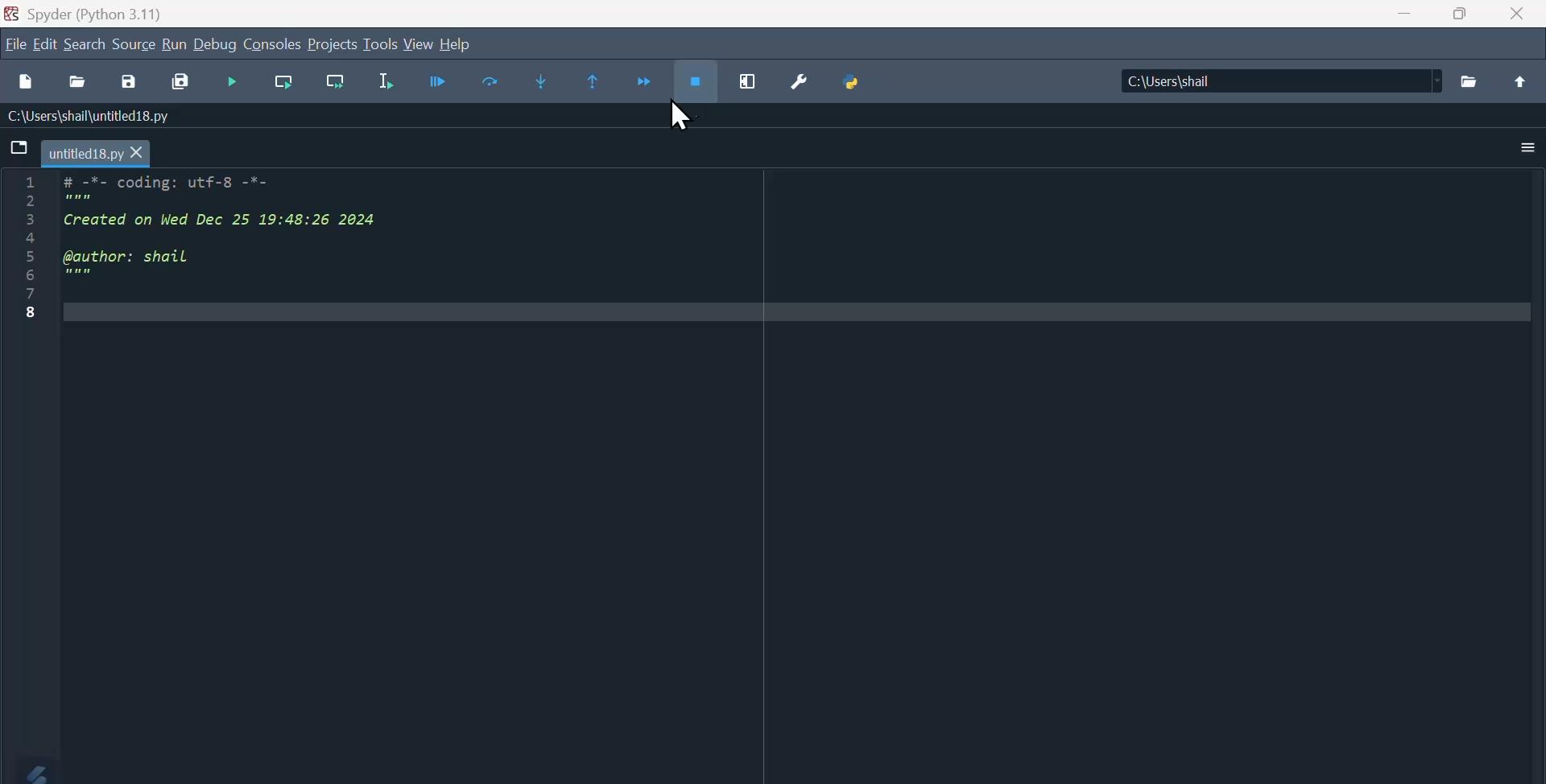 This screenshot has width=1546, height=784. I want to click on Mouse, so click(676, 119).